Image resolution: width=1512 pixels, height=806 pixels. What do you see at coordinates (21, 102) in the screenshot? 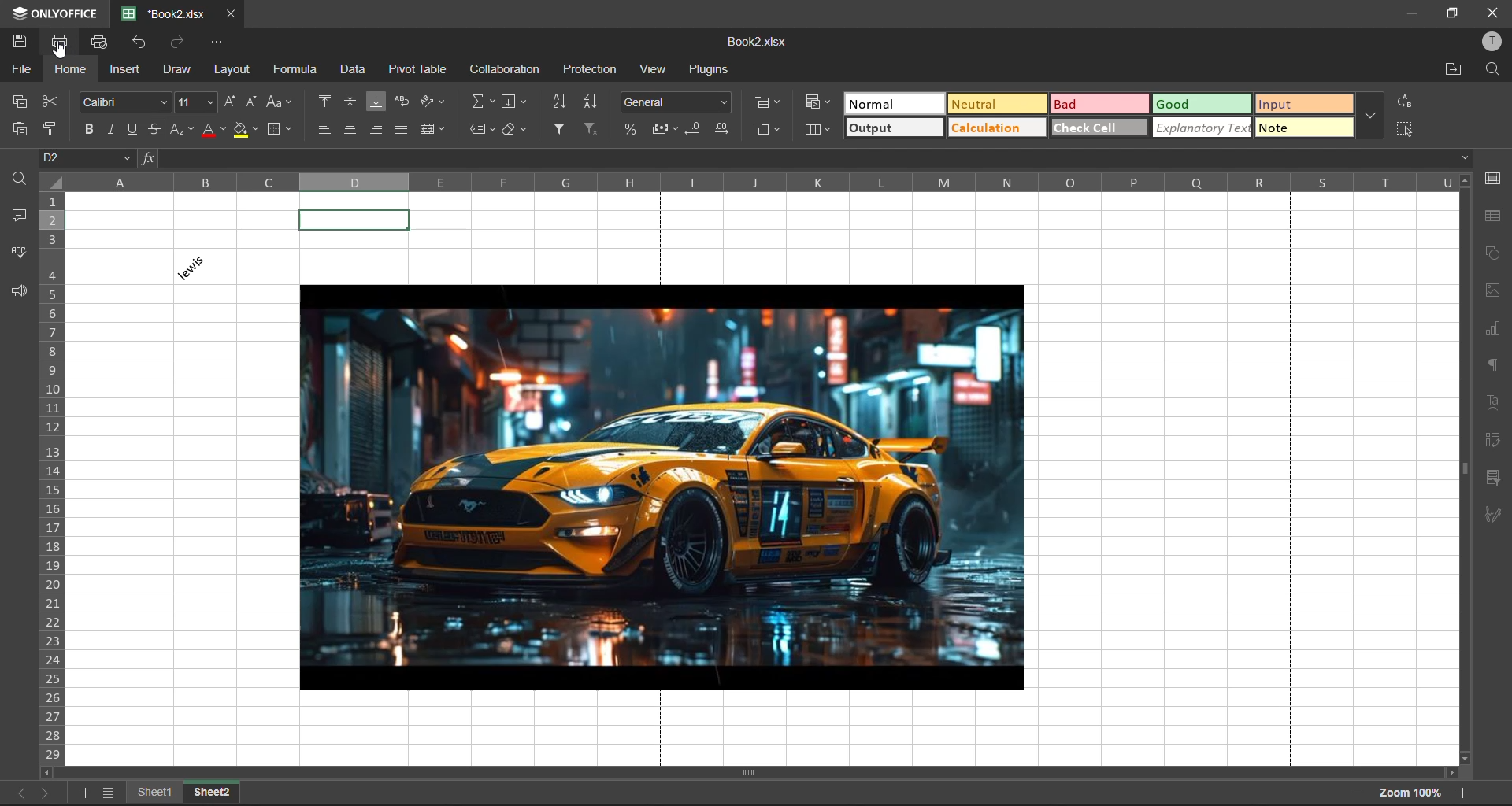
I see `copy` at bounding box center [21, 102].